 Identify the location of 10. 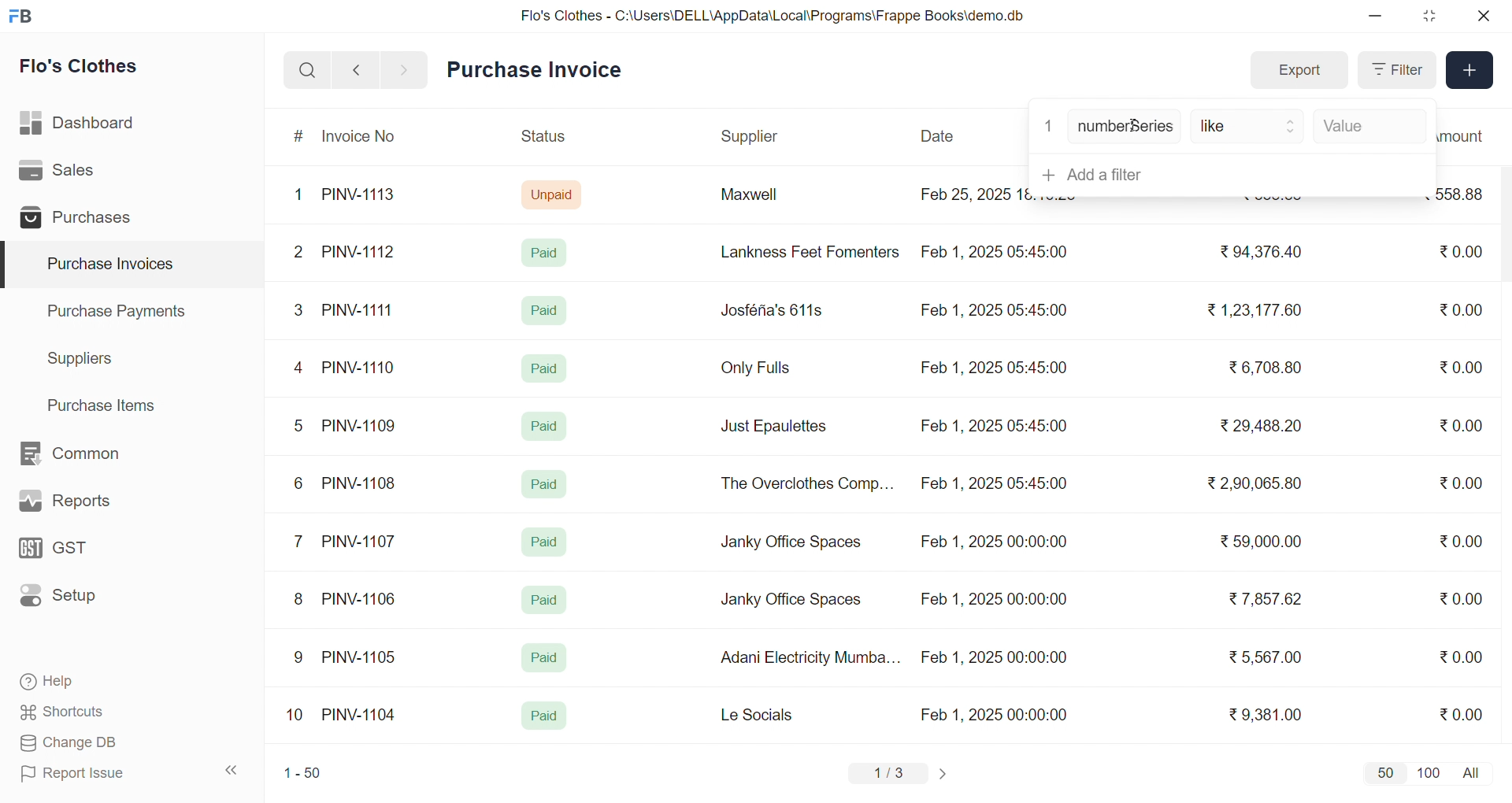
(298, 716).